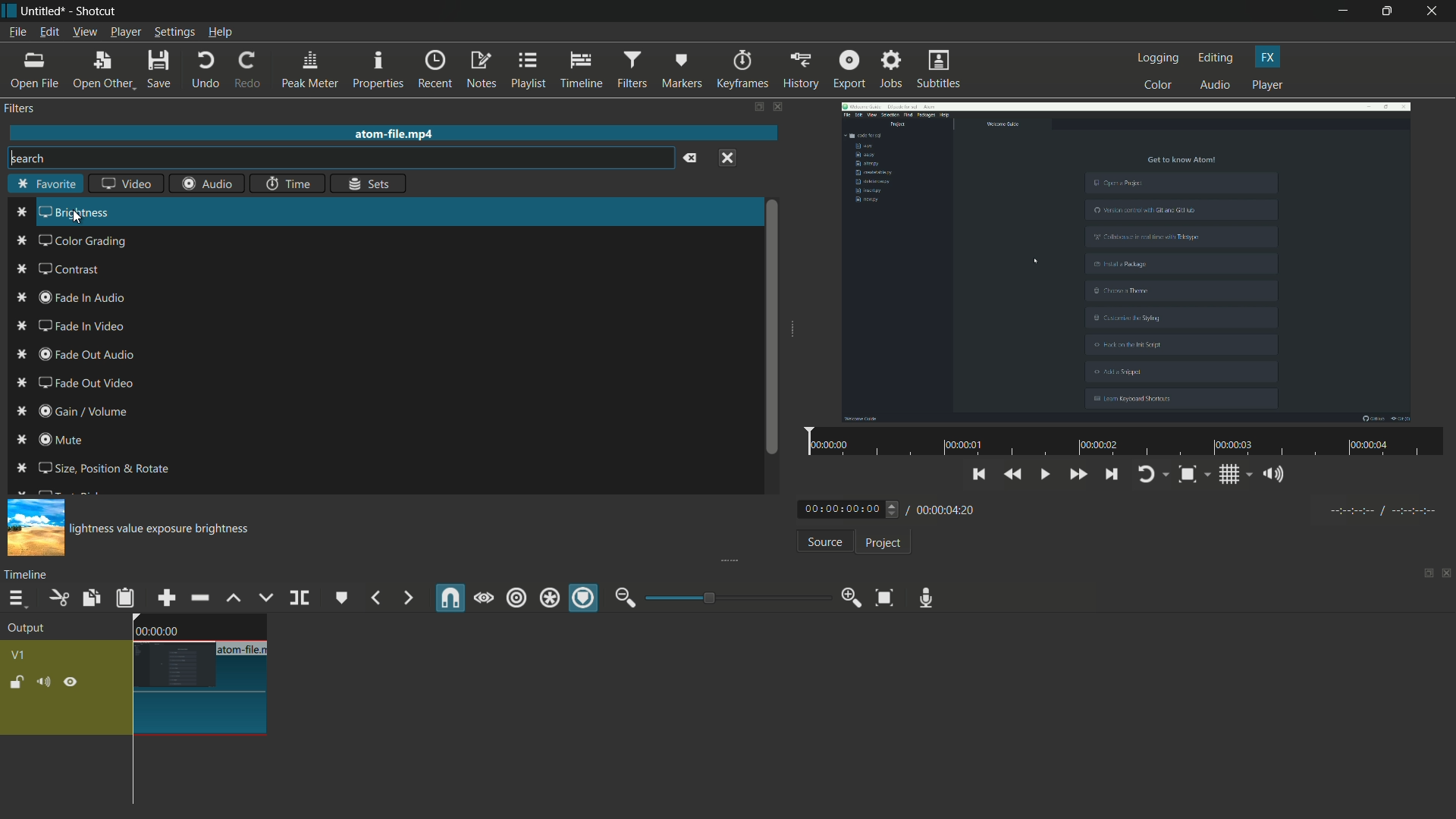 The width and height of the screenshot is (1456, 819). What do you see at coordinates (199, 598) in the screenshot?
I see `ripple delete` at bounding box center [199, 598].